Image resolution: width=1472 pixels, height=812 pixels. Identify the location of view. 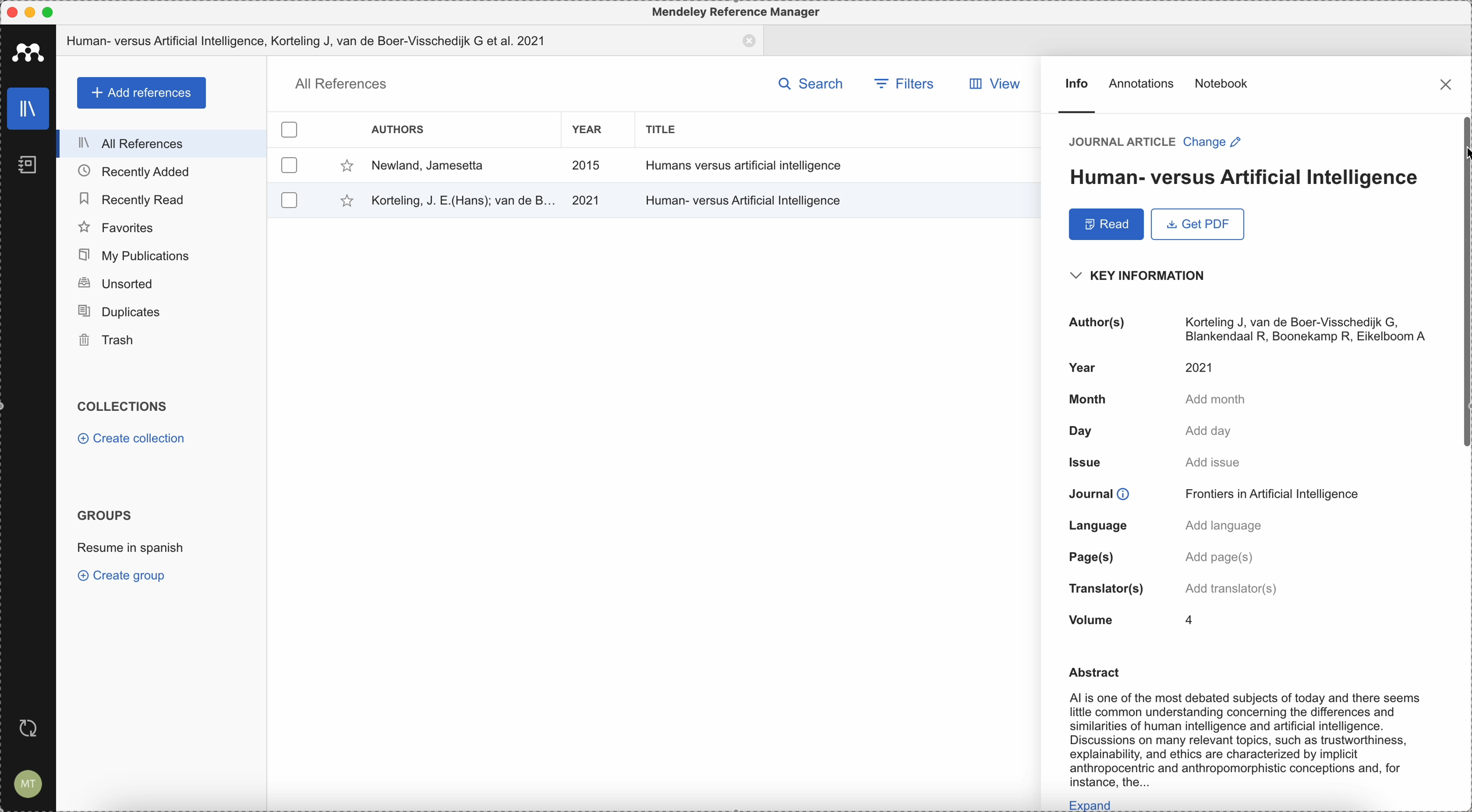
(1000, 84).